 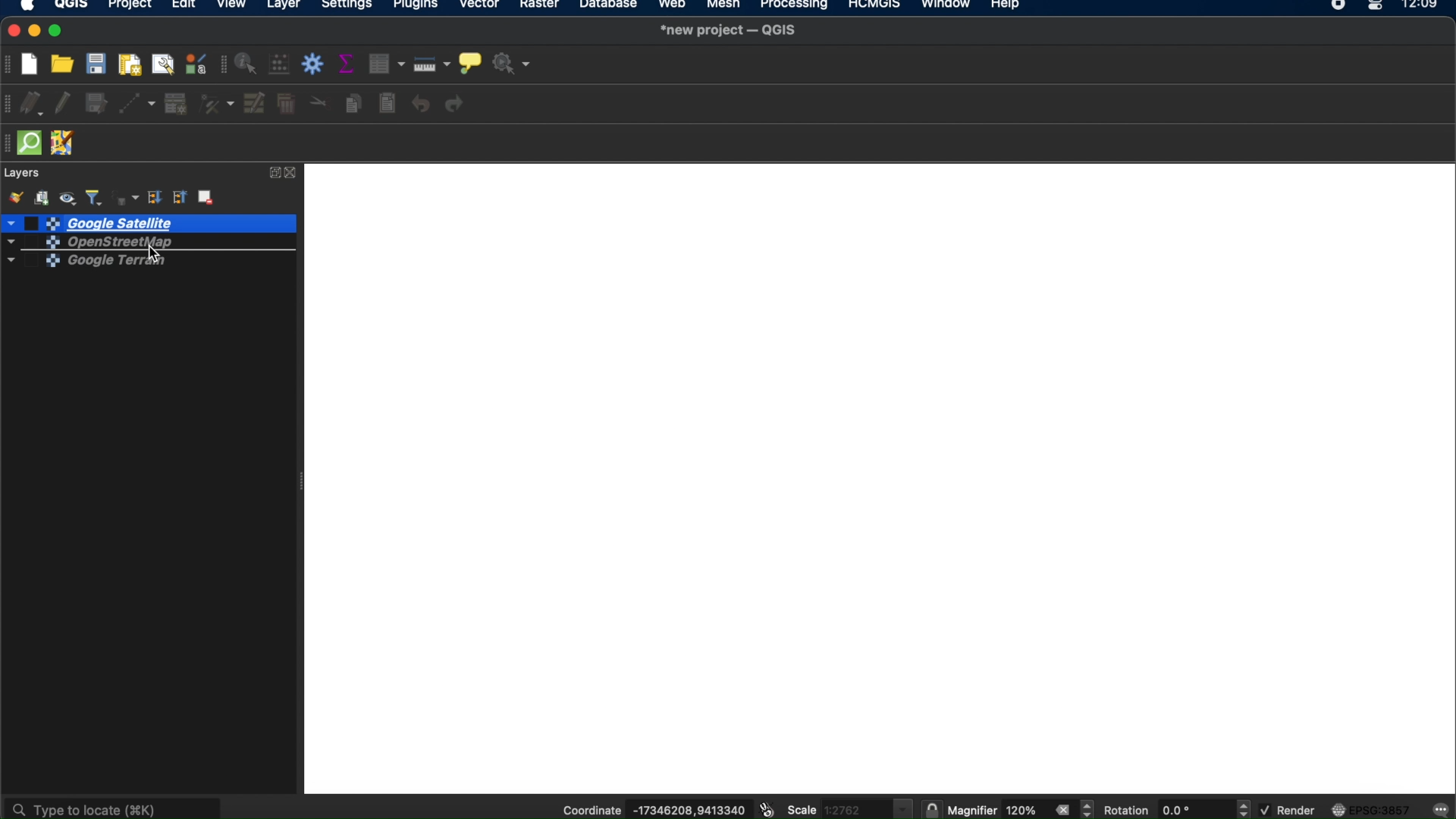 I want to click on minimize, so click(x=36, y=31).